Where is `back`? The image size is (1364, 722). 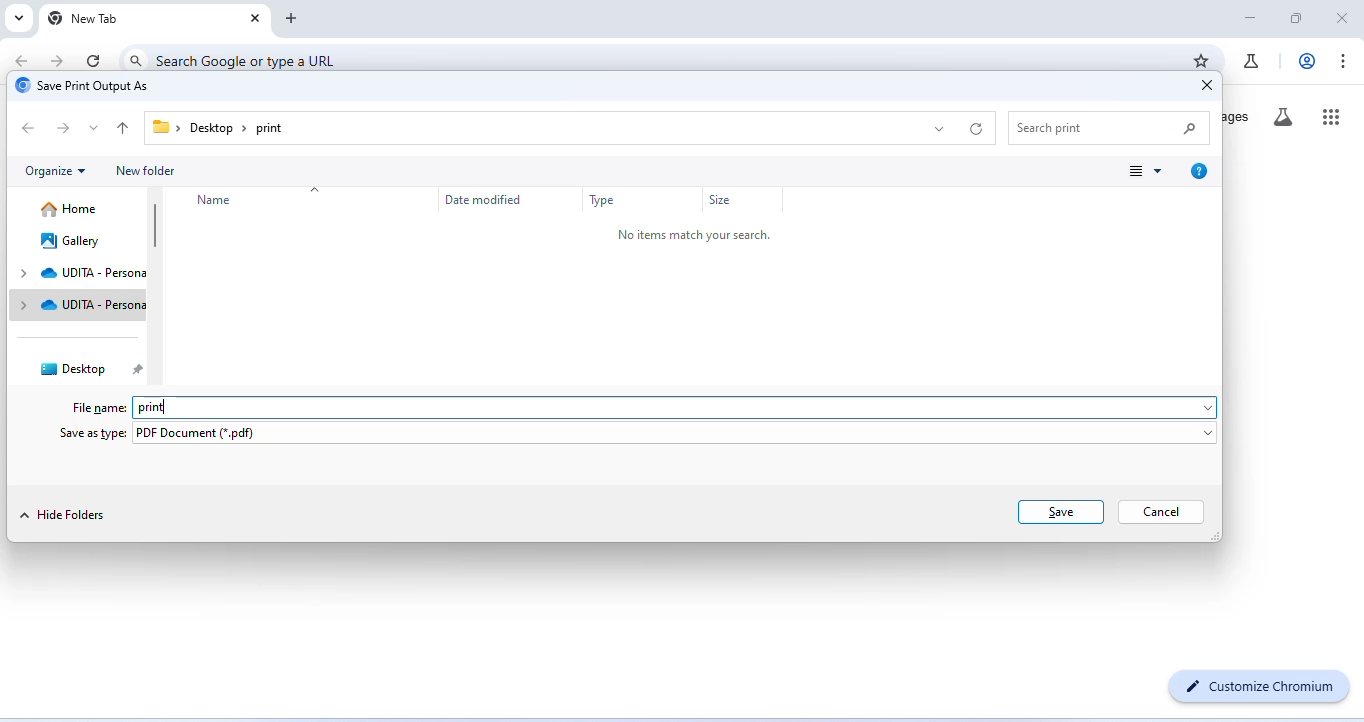
back is located at coordinates (30, 129).